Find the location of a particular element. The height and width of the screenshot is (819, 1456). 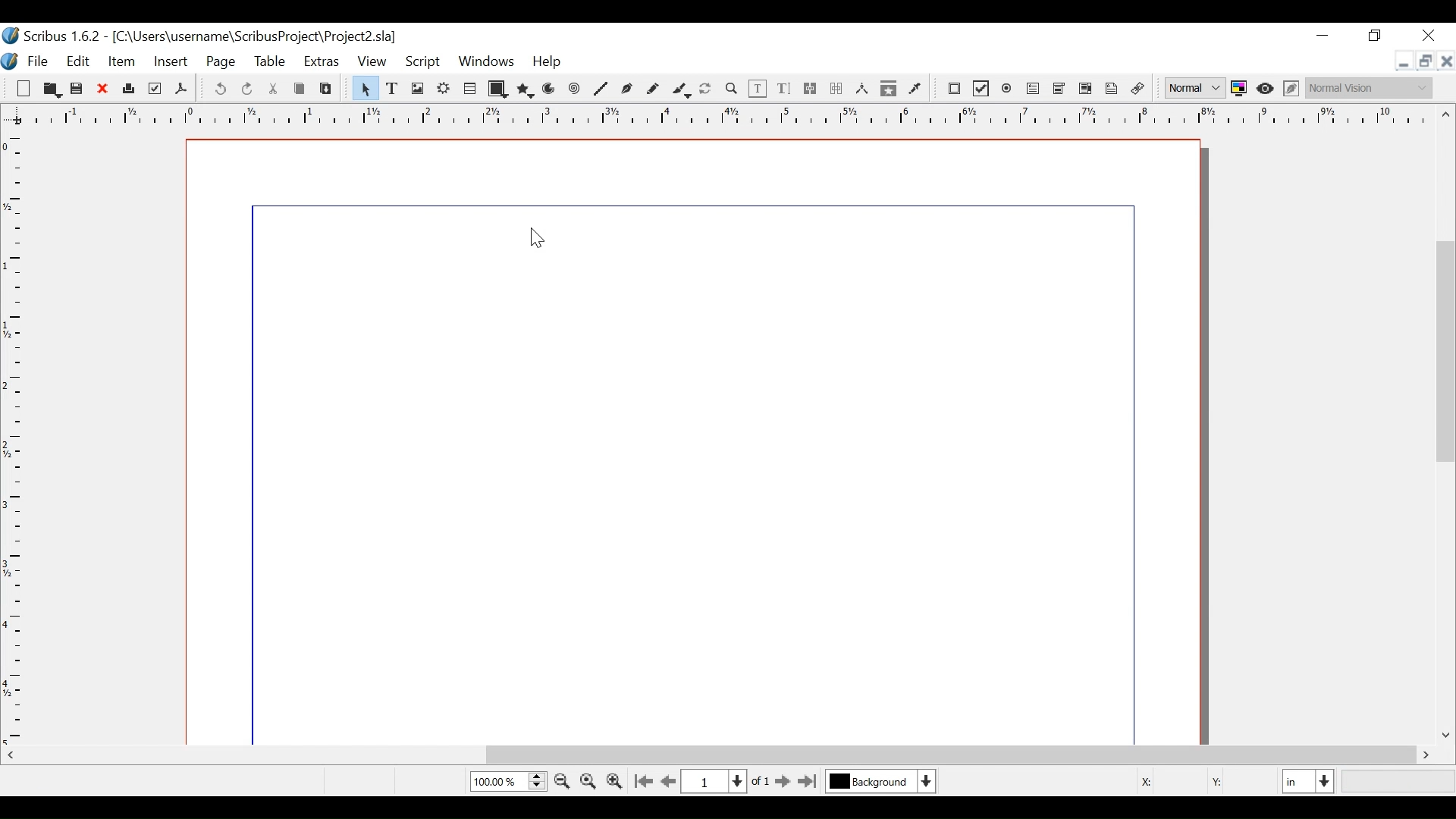

File is located at coordinates (36, 61).